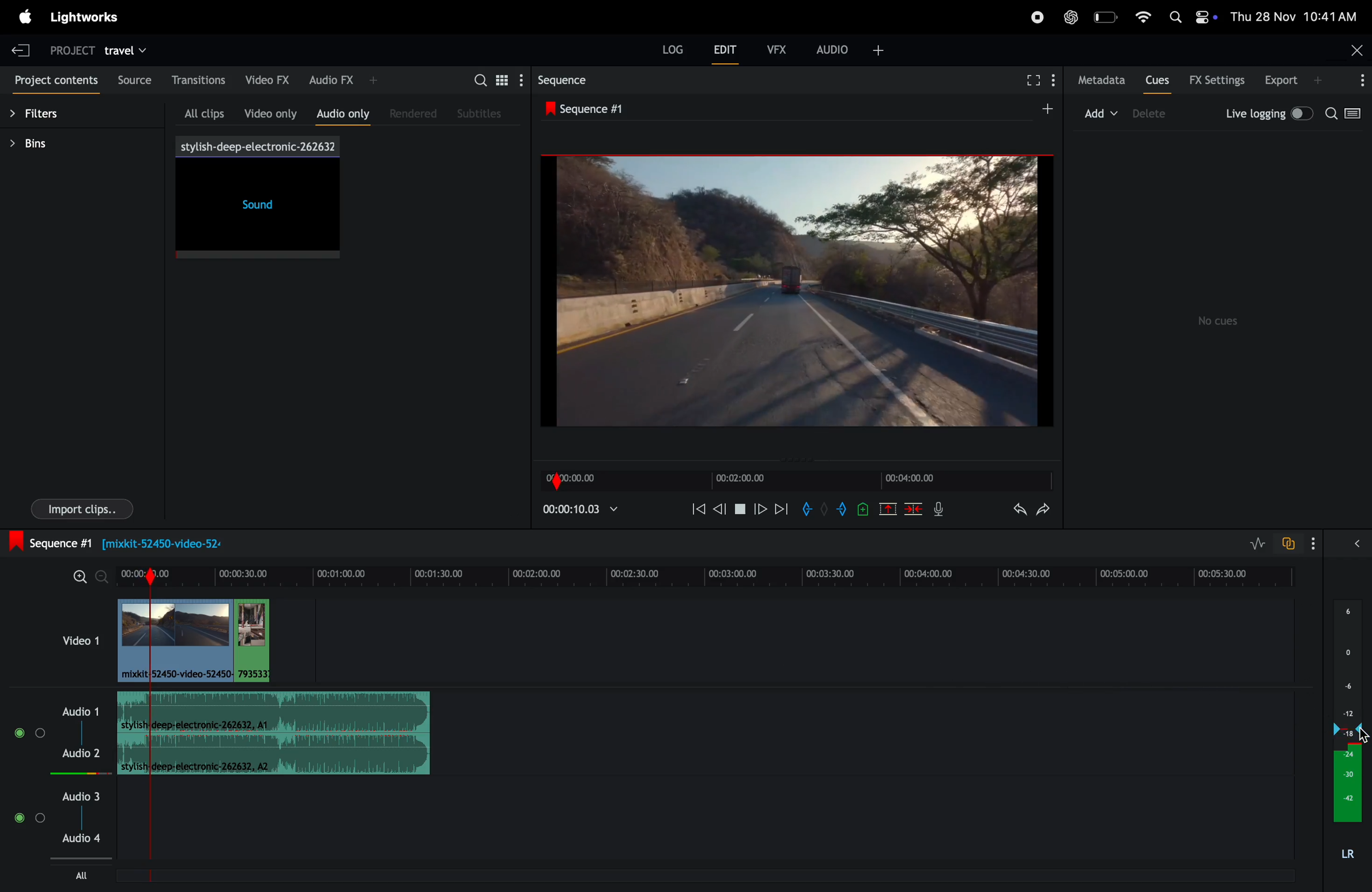  I want to click on audio, so click(850, 49).